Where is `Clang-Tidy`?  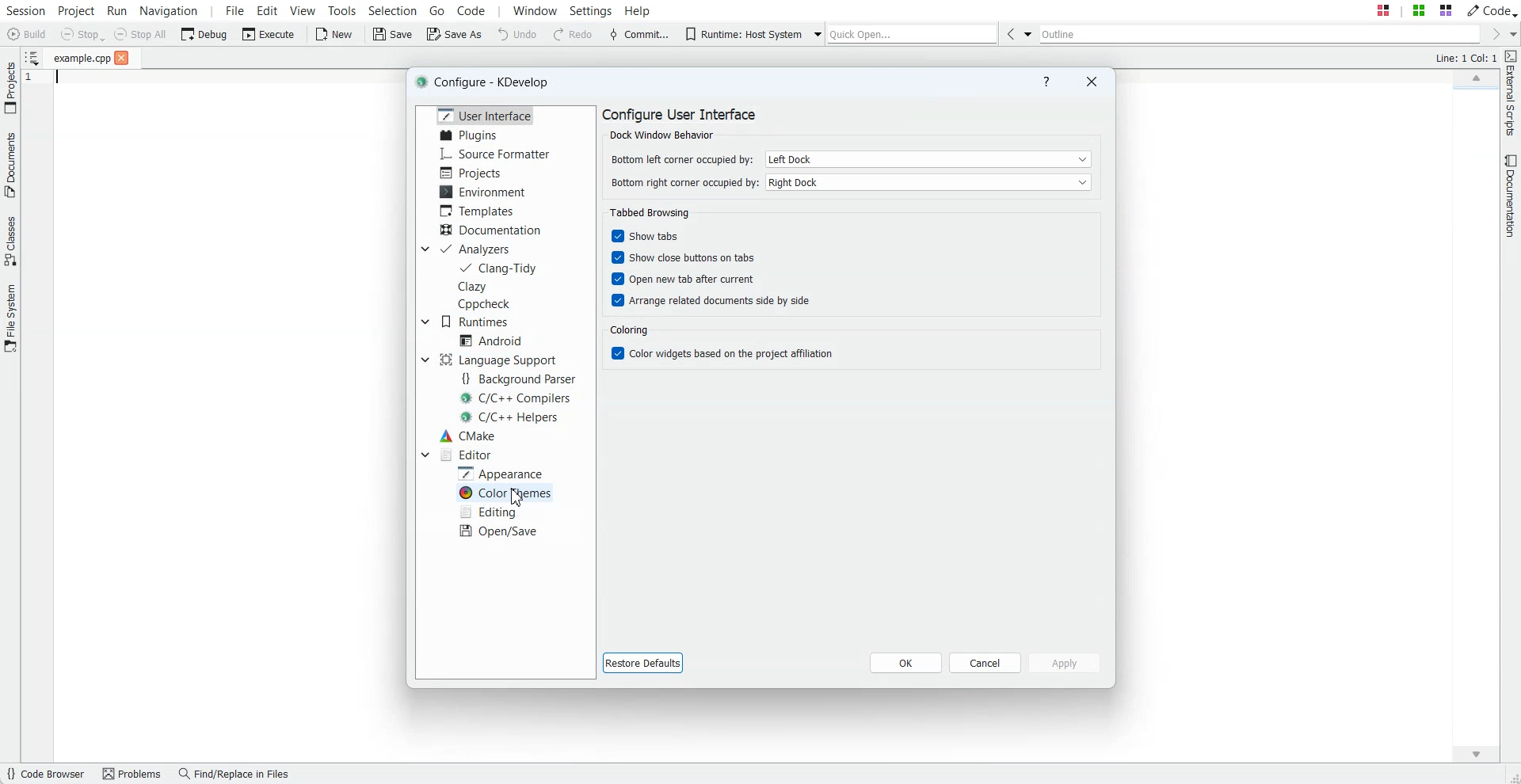
Clang-Tidy is located at coordinates (499, 268).